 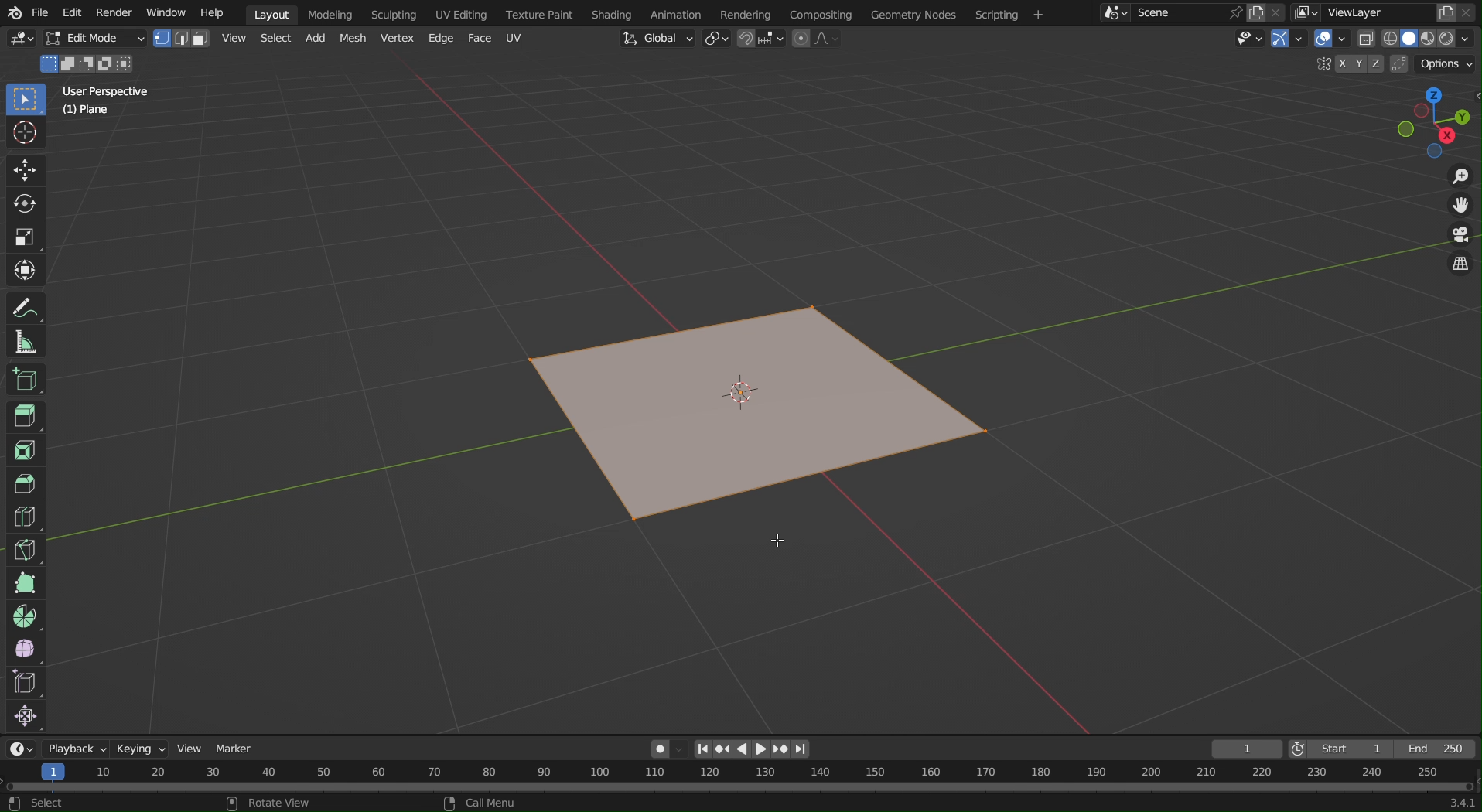 What do you see at coordinates (38, 800) in the screenshot?
I see `Select` at bounding box center [38, 800].